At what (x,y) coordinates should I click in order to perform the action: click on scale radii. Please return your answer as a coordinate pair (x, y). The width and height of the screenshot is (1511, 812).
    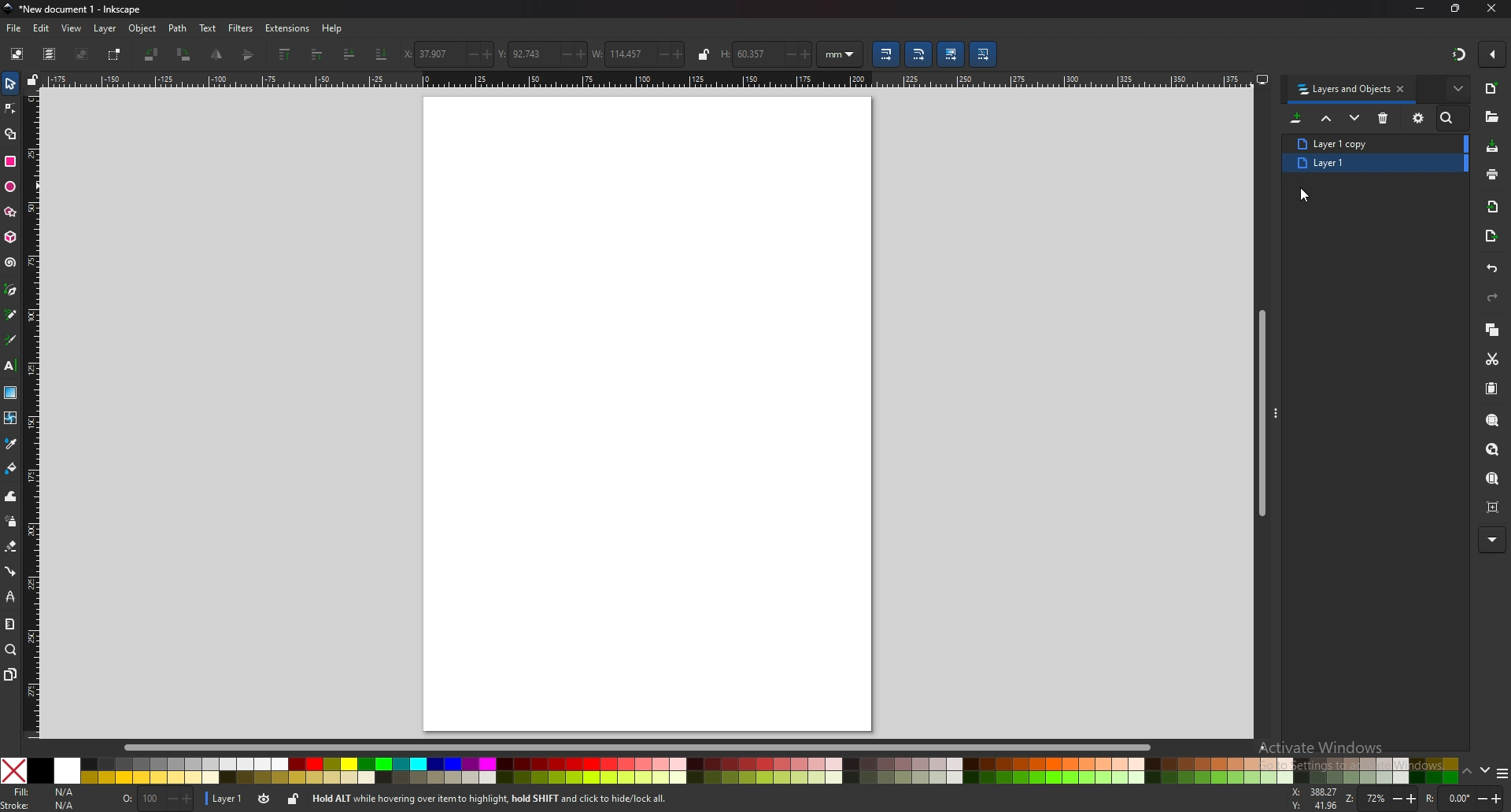
    Looking at the image, I should click on (919, 54).